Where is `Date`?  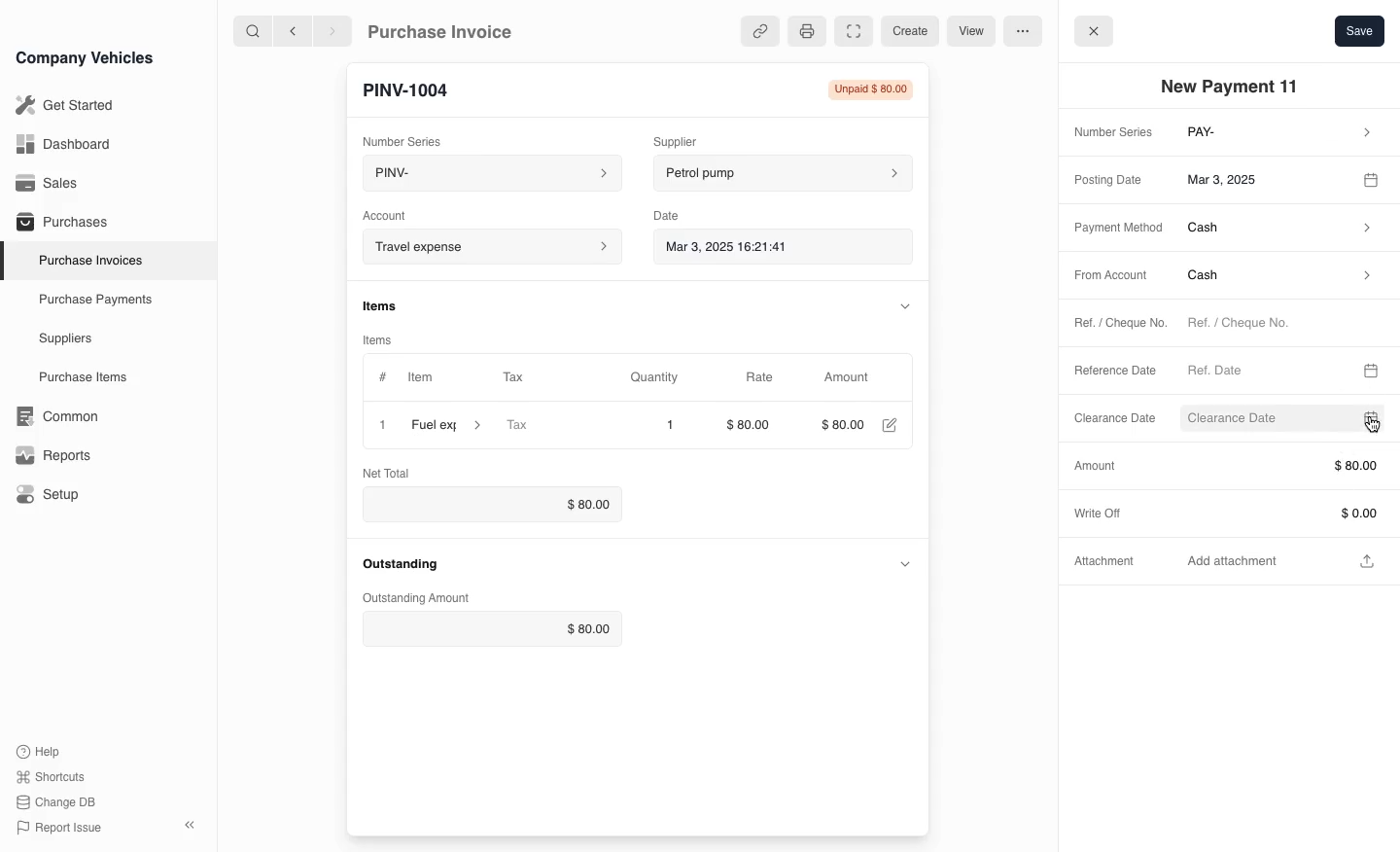
Date is located at coordinates (676, 212).